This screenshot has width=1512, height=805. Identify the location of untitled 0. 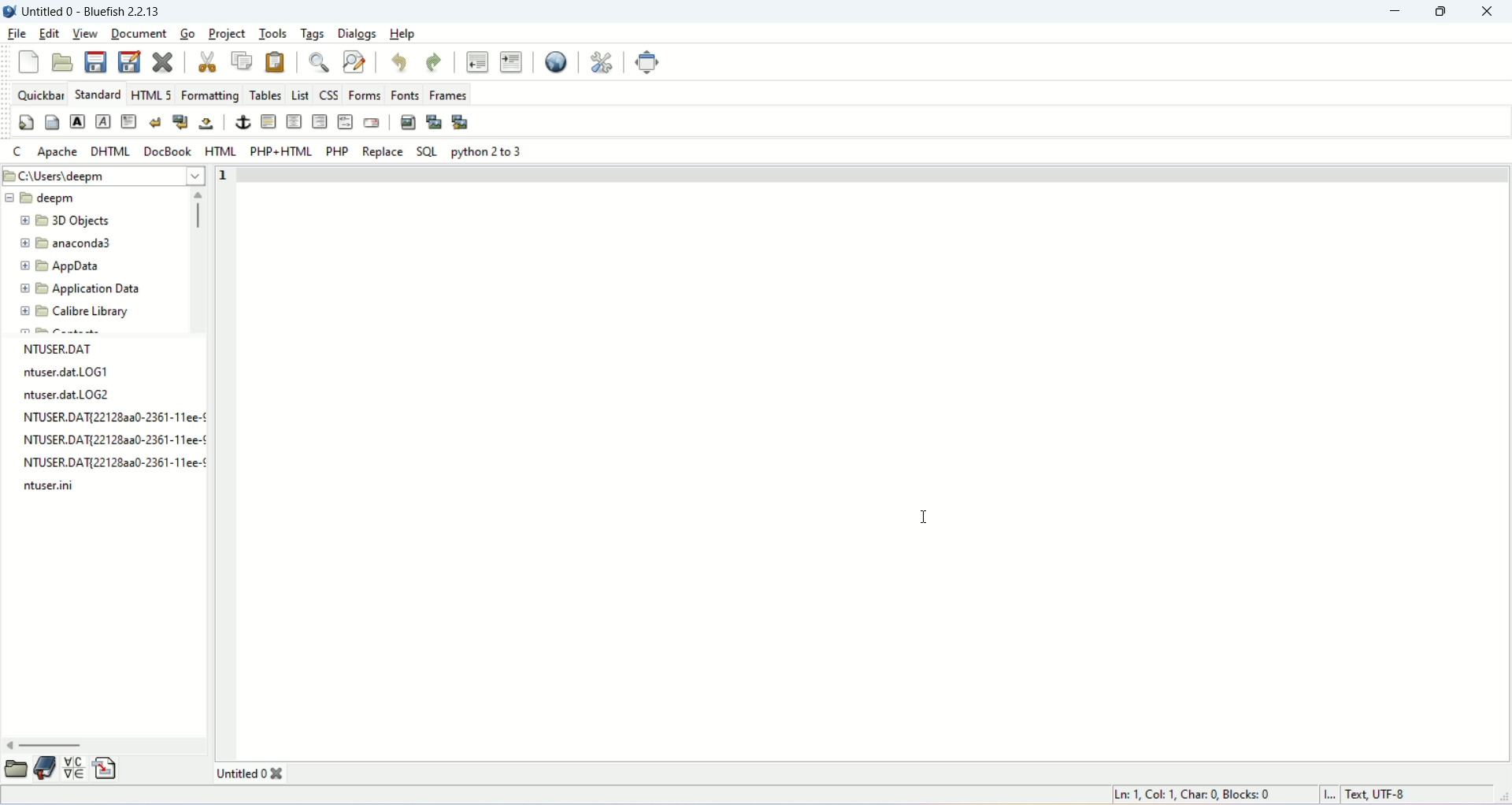
(249, 774).